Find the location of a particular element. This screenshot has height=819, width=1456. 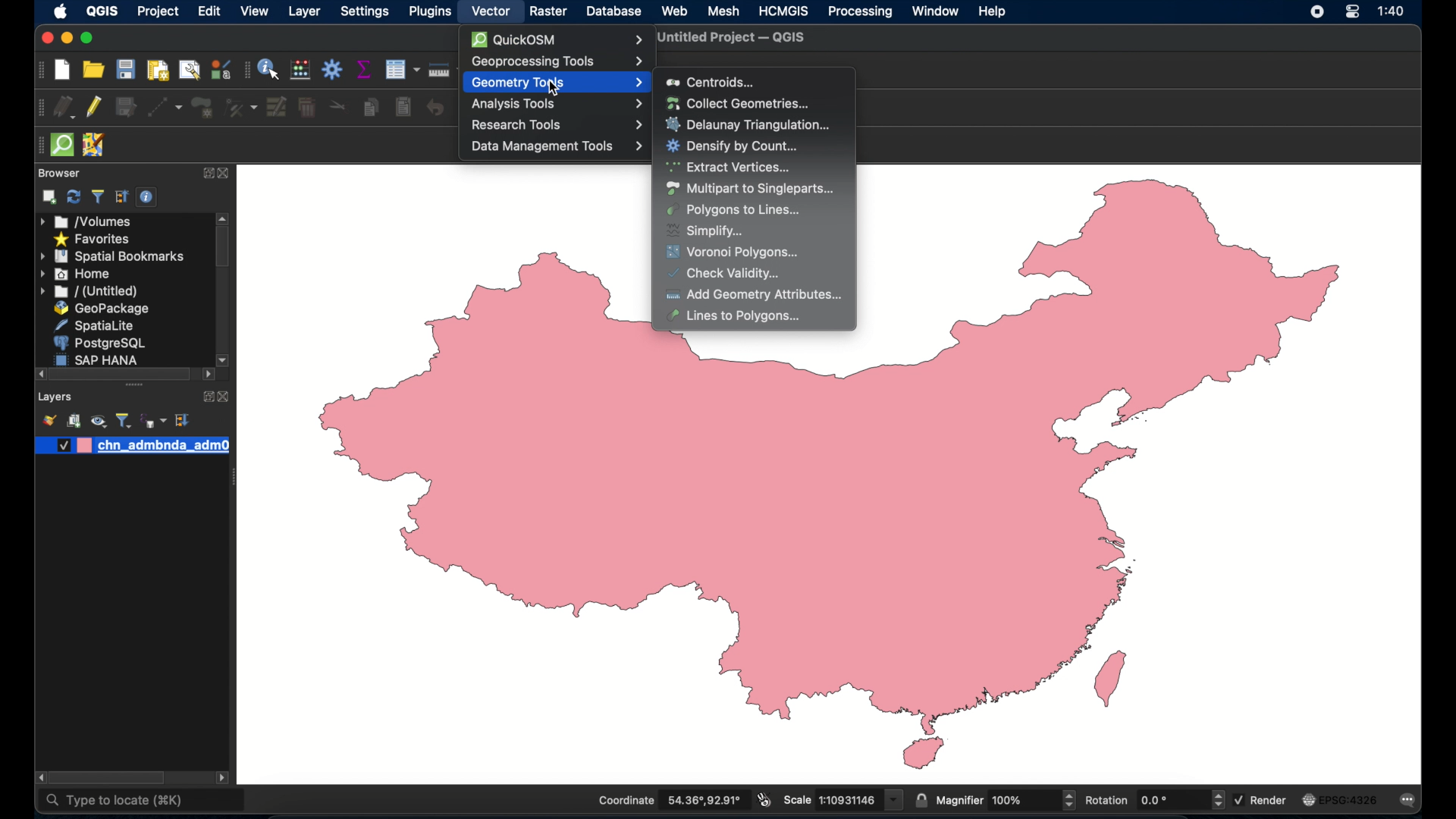

measure line is located at coordinates (442, 69).